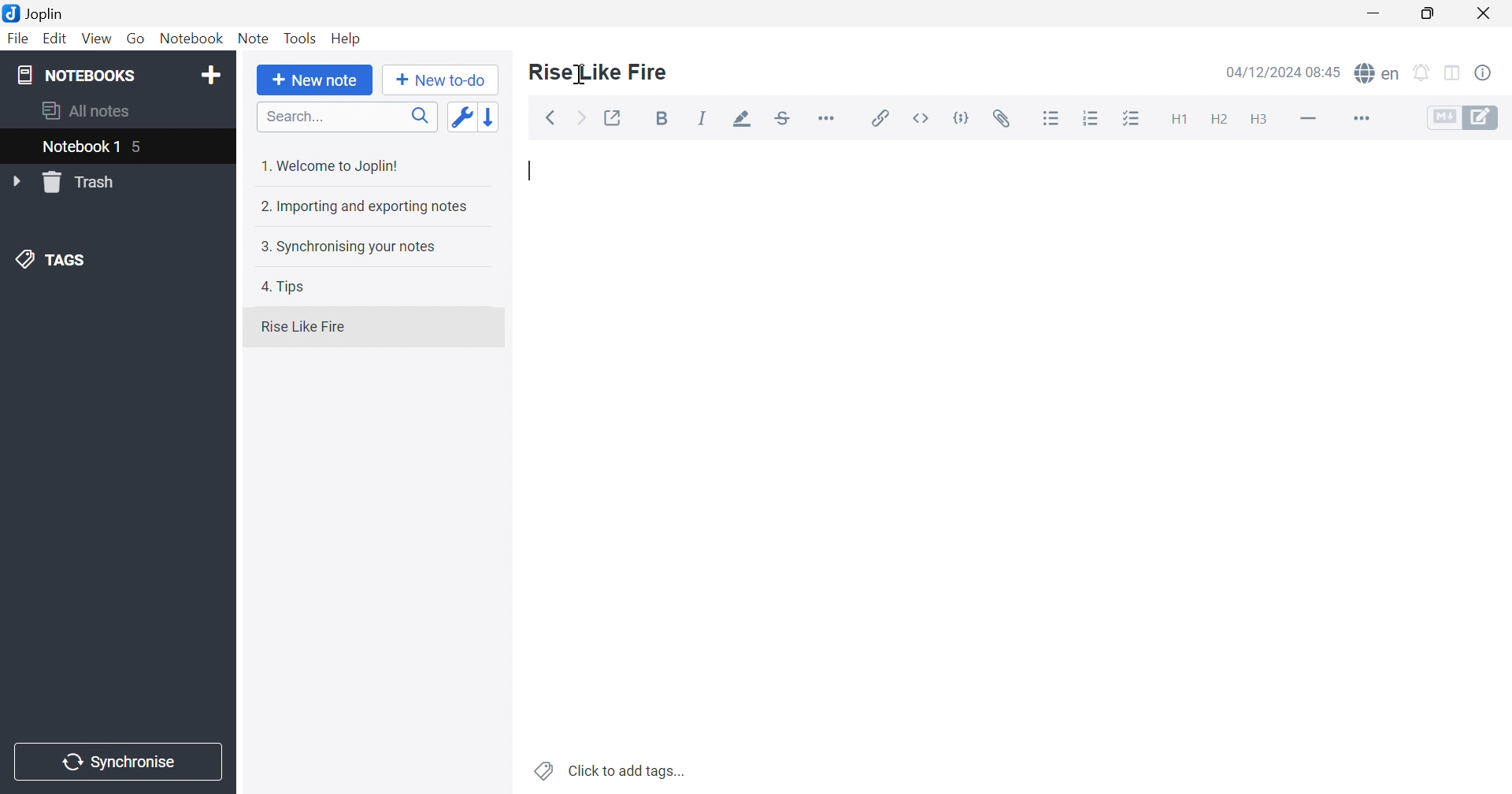  I want to click on 1. Welcome to Joplin!, so click(338, 163).